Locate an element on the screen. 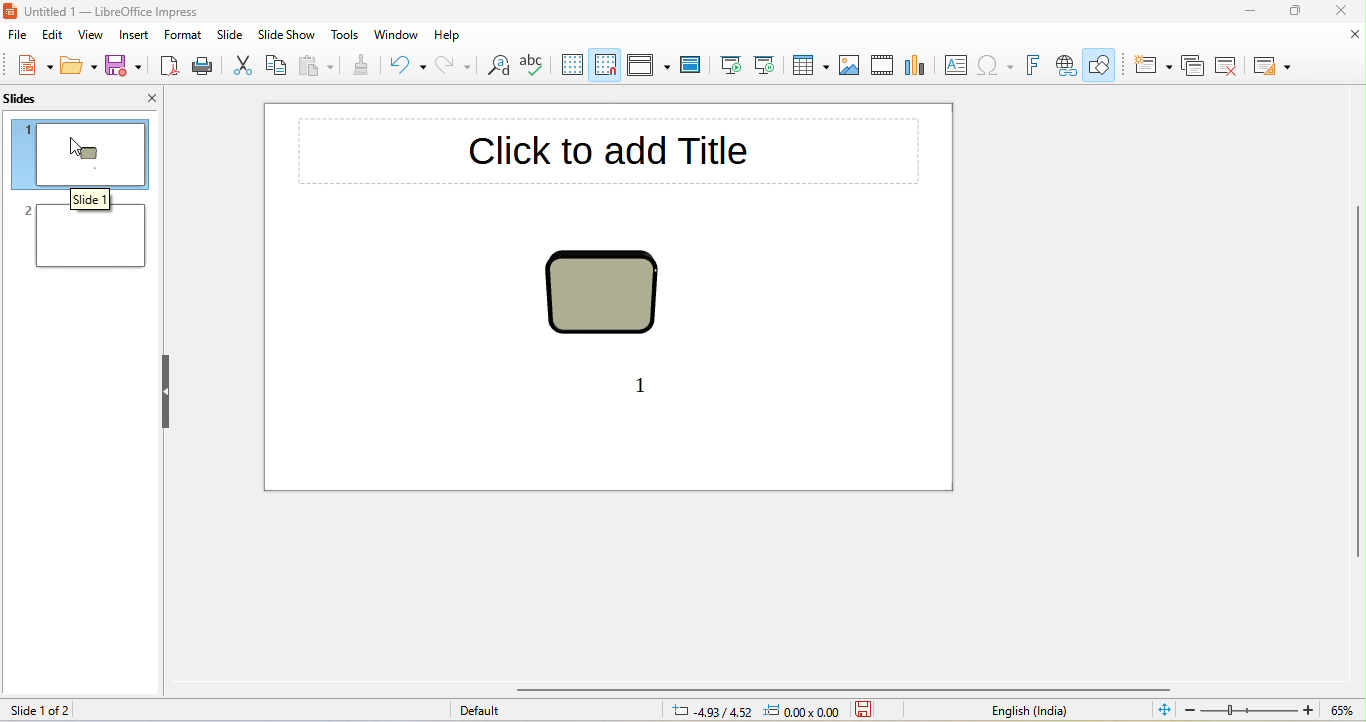  hyperlink is located at coordinates (1065, 65).